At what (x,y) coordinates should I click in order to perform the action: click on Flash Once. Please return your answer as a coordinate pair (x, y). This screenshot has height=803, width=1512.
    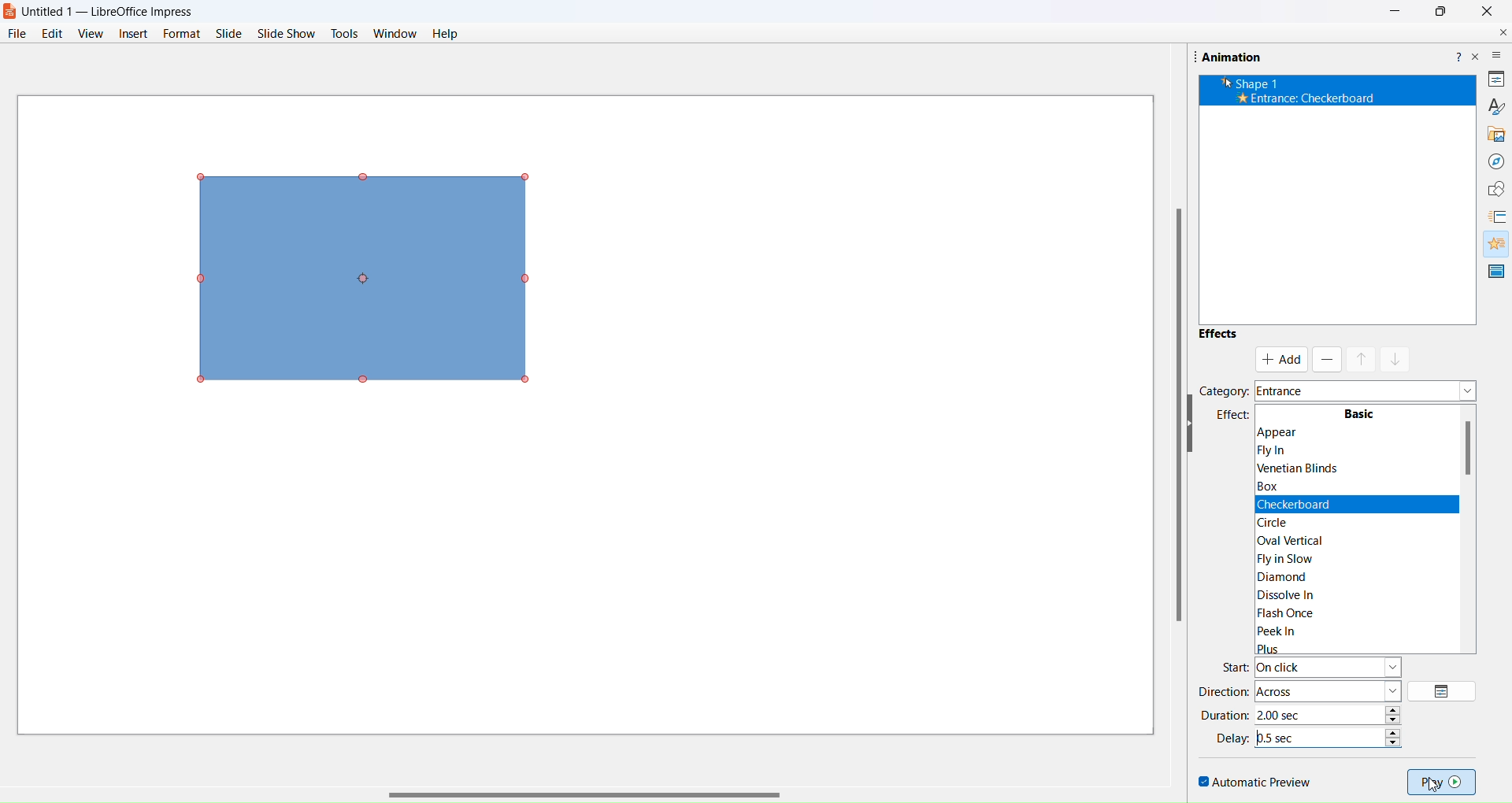
    Looking at the image, I should click on (1298, 613).